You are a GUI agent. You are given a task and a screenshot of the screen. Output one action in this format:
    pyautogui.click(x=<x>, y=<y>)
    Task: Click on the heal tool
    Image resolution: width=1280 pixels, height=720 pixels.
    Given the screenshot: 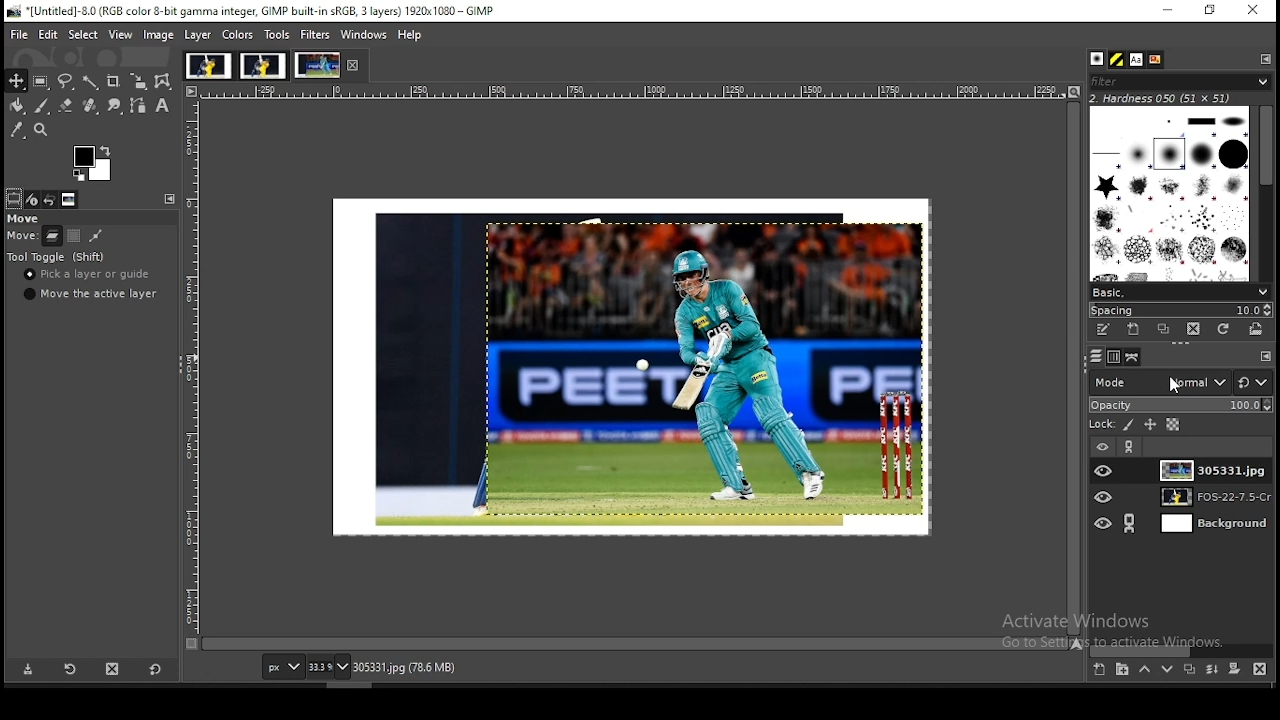 What is the action you would take?
    pyautogui.click(x=90, y=105)
    